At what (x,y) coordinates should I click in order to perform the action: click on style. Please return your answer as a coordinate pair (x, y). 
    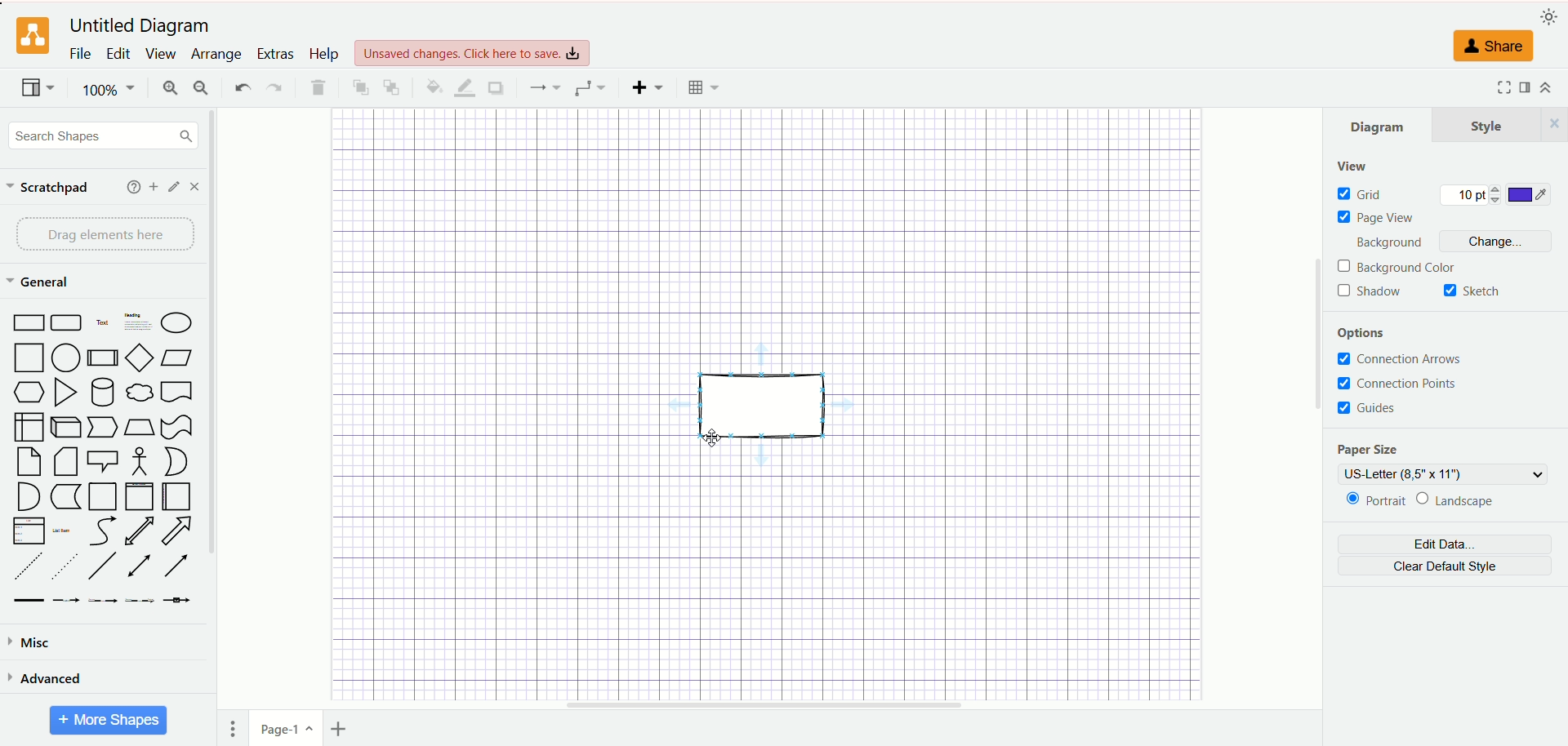
    Looking at the image, I should click on (1501, 124).